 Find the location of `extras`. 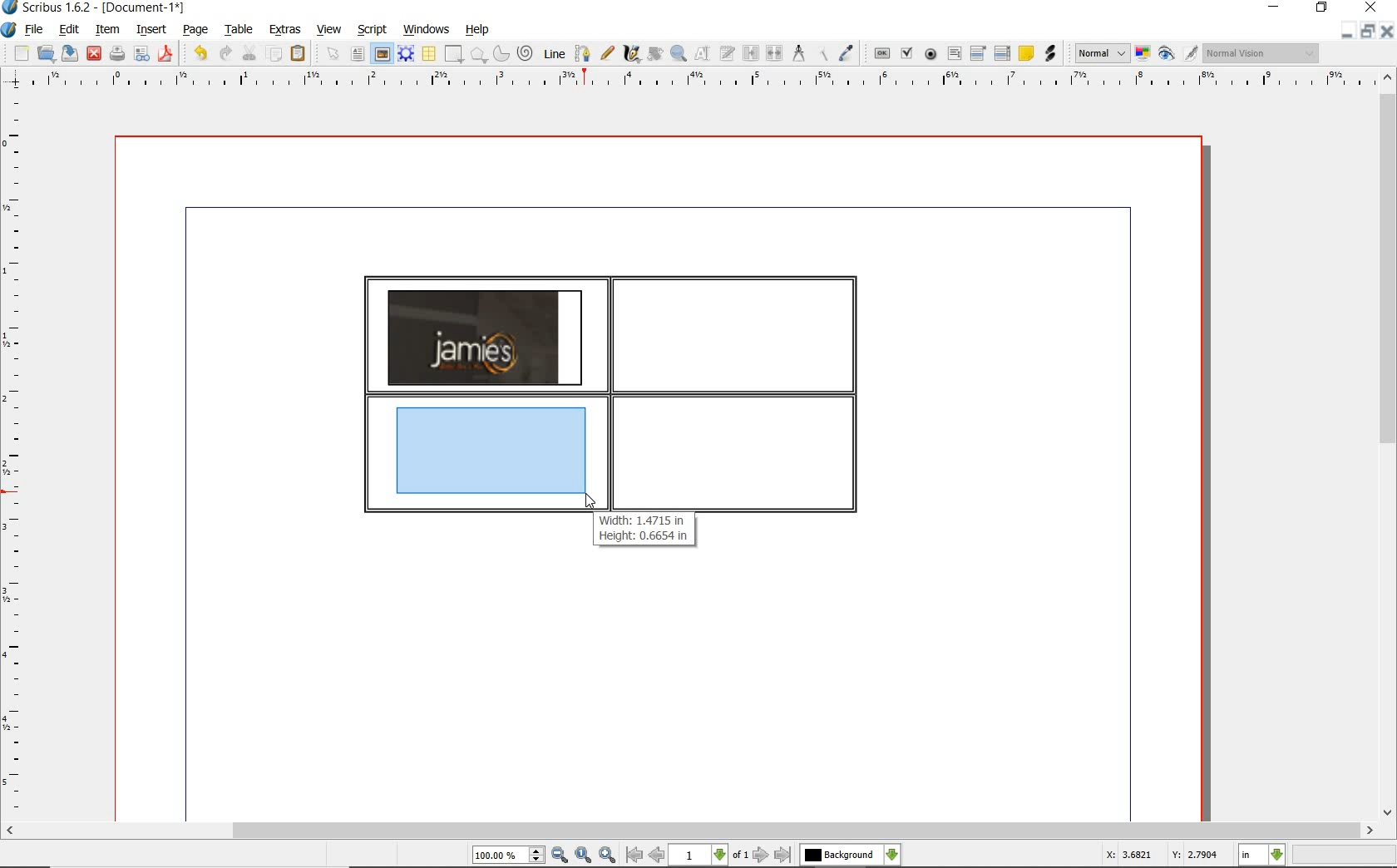

extras is located at coordinates (285, 30).